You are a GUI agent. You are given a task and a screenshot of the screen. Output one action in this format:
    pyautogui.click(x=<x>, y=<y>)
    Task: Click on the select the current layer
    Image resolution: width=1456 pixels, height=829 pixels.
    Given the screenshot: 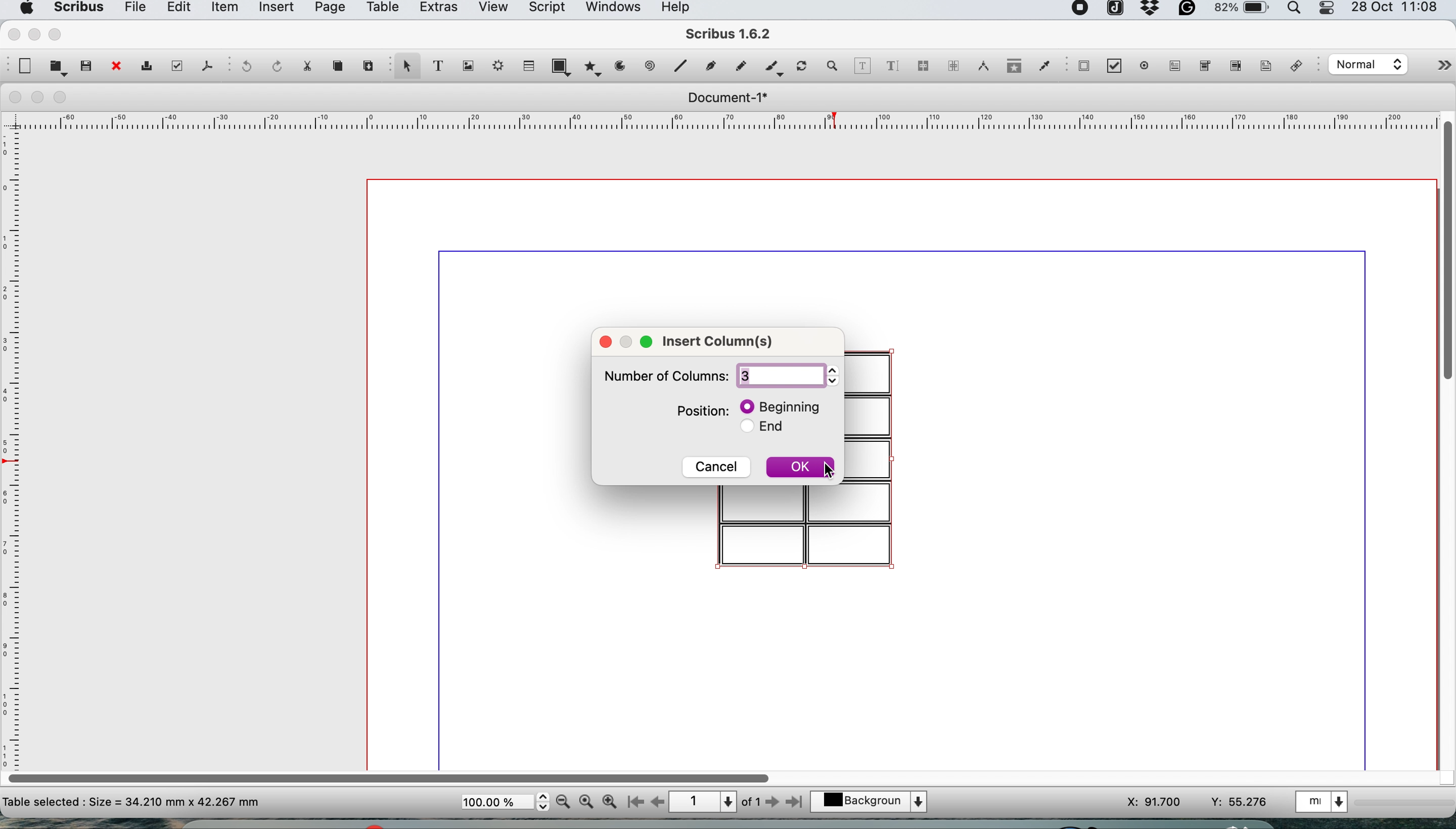 What is the action you would take?
    pyautogui.click(x=875, y=803)
    